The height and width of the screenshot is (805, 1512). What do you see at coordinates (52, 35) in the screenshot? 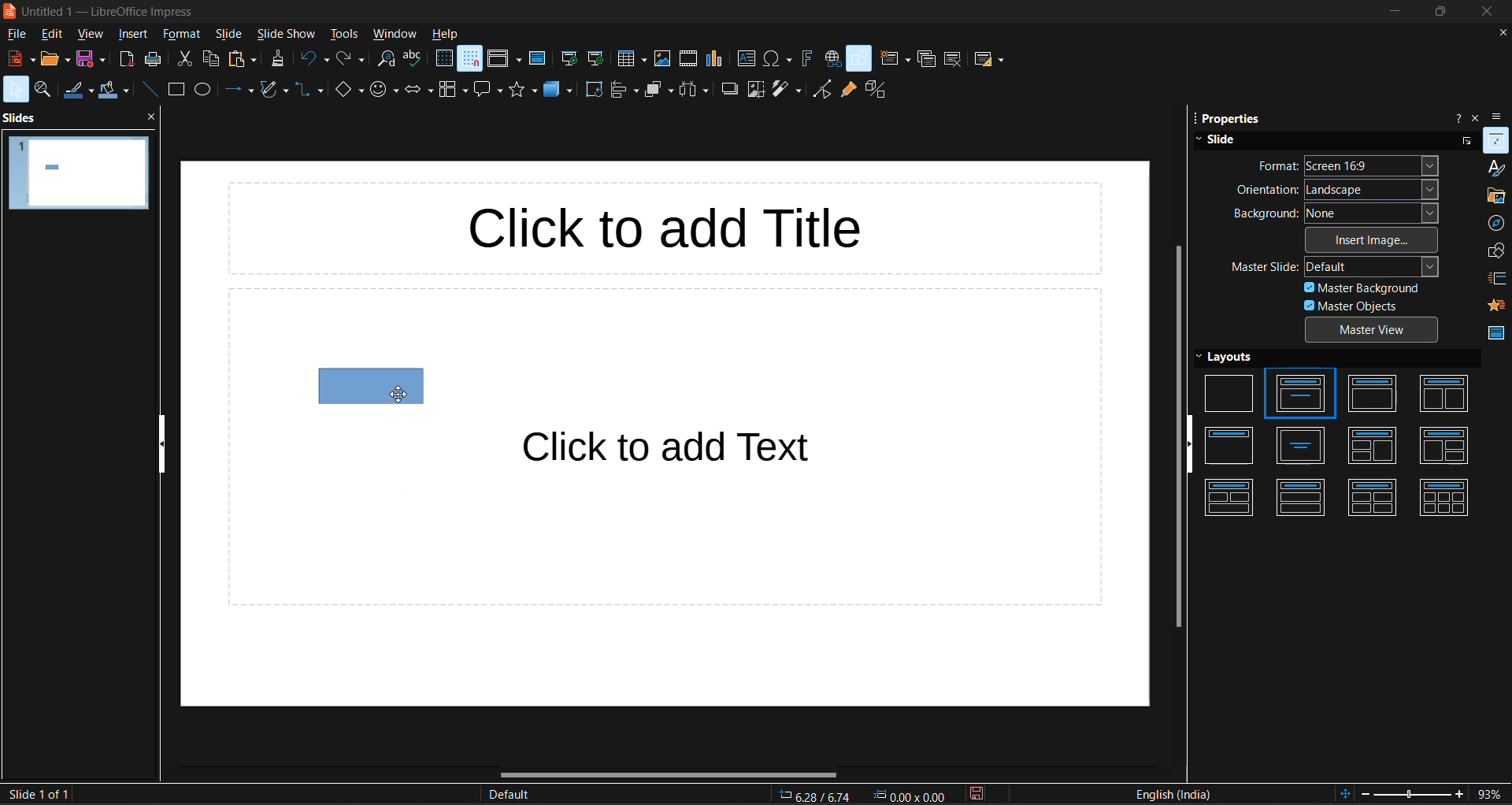
I see `edit` at bounding box center [52, 35].